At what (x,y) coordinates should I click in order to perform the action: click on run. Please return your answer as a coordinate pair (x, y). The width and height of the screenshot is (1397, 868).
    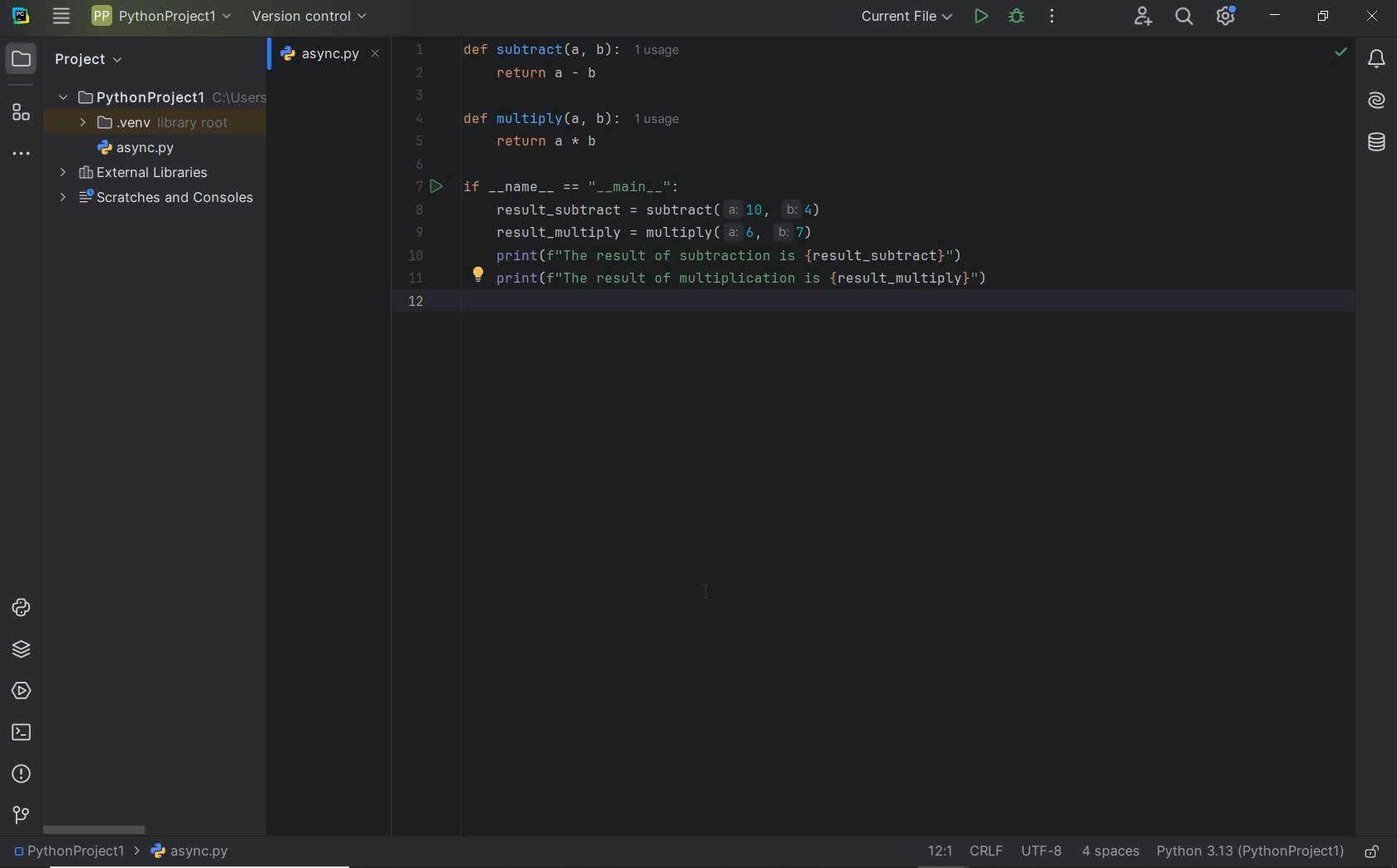
    Looking at the image, I should click on (980, 18).